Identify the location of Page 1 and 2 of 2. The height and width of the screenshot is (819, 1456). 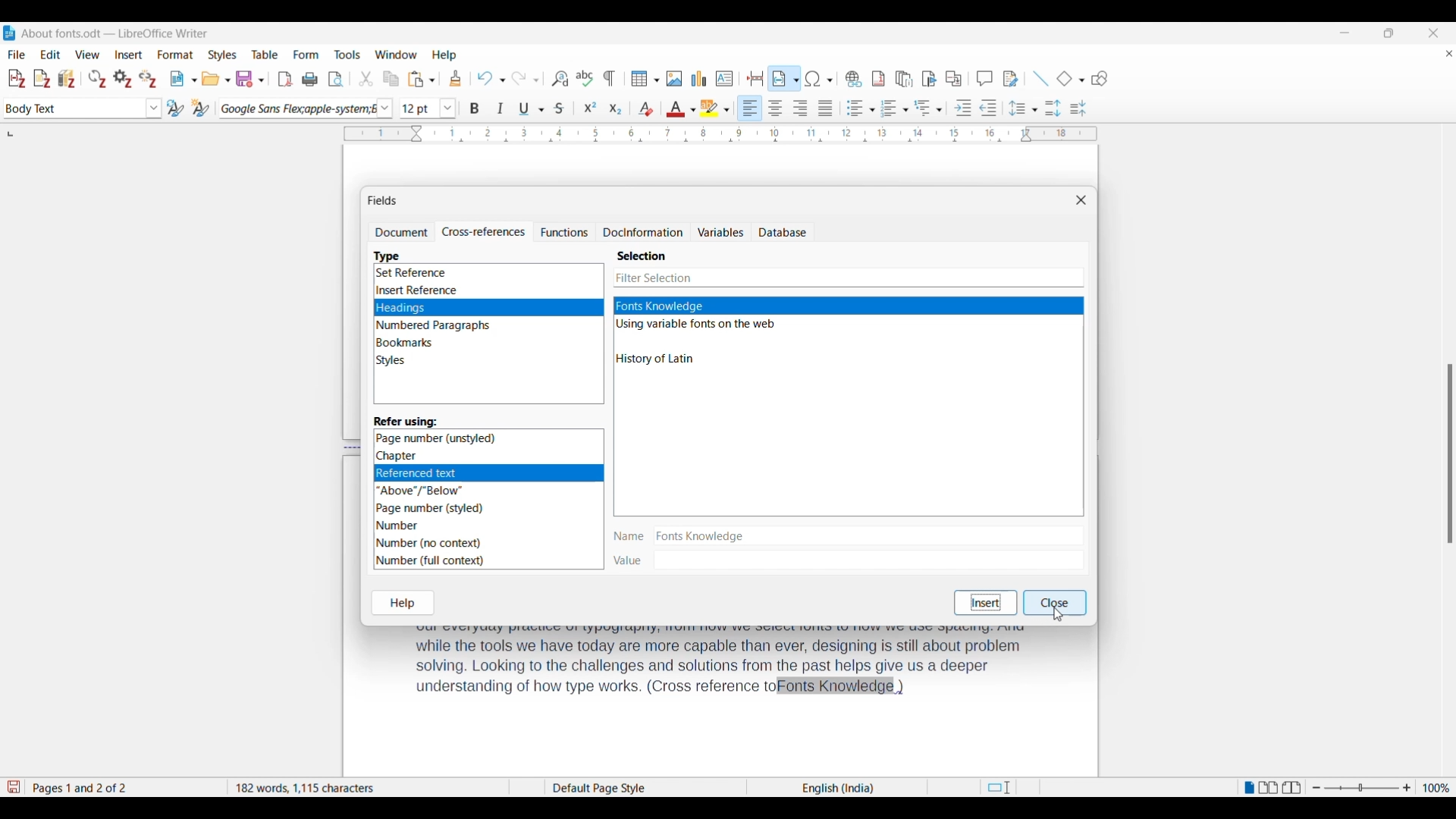
(88, 786).